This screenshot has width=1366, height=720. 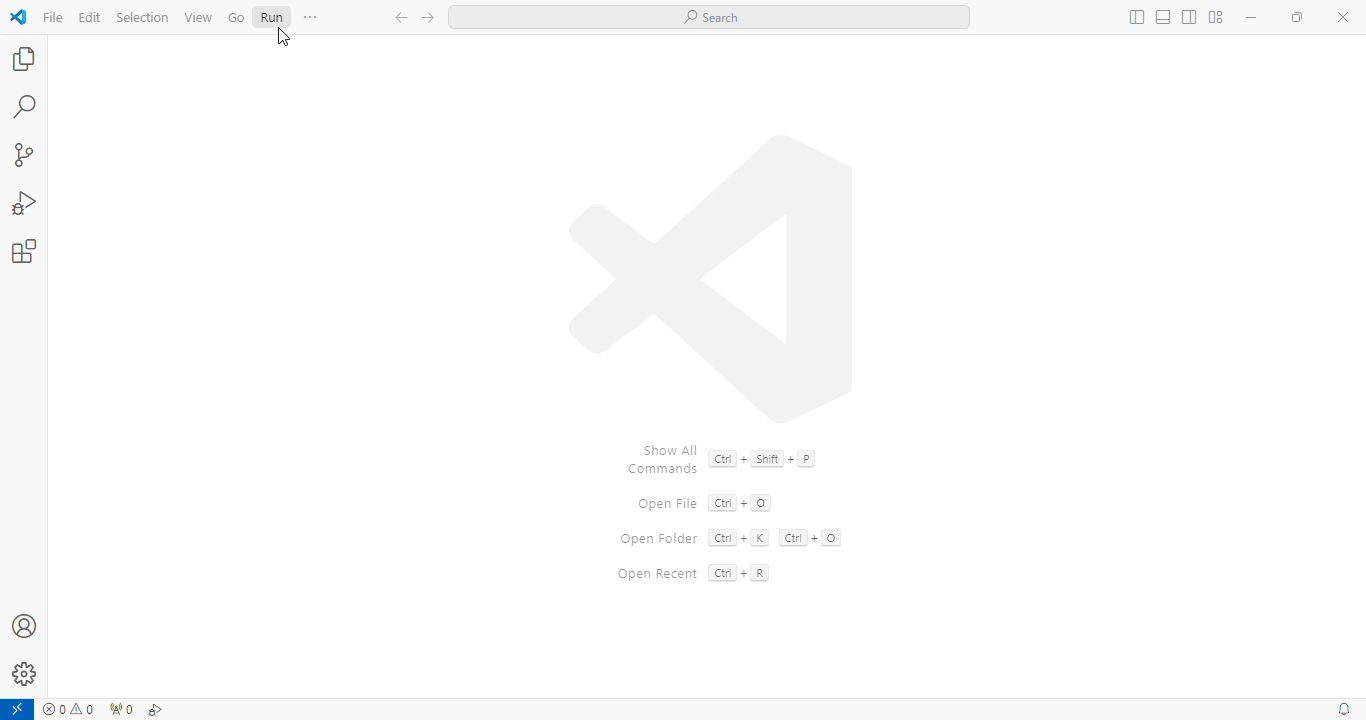 What do you see at coordinates (26, 106) in the screenshot?
I see `search` at bounding box center [26, 106].